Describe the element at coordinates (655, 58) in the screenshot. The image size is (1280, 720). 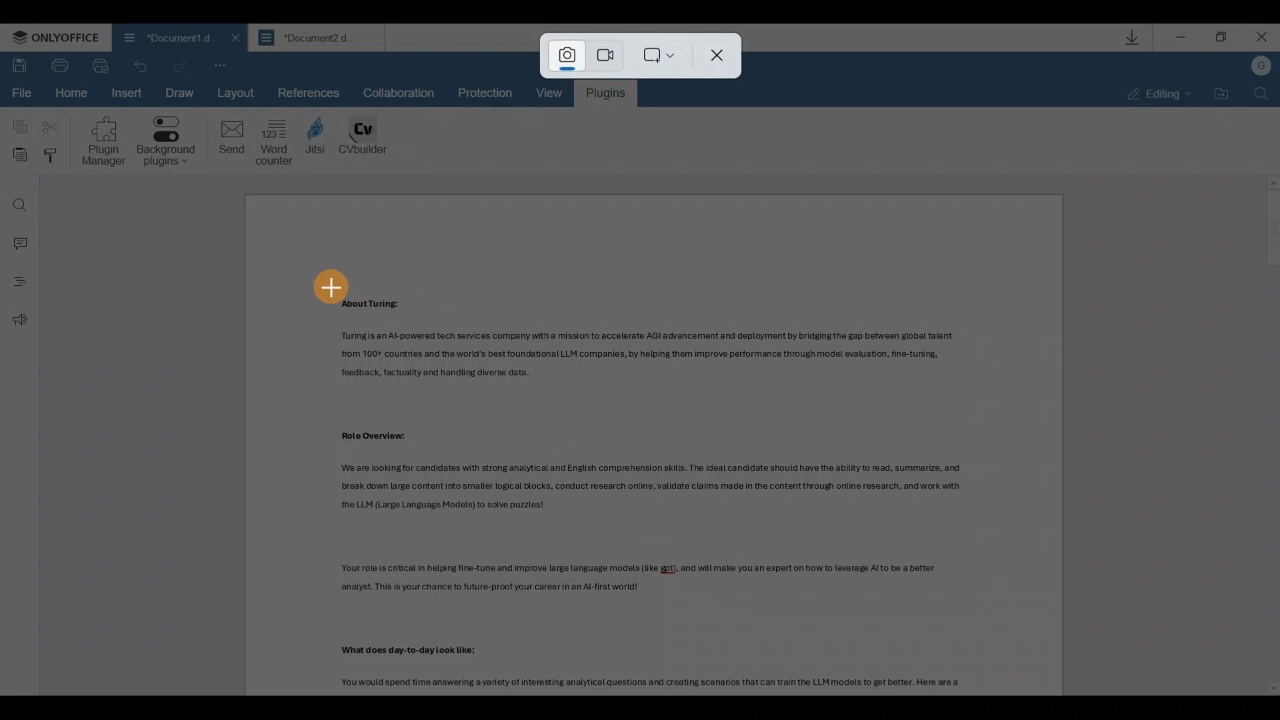
I see `Rectangle` at that location.